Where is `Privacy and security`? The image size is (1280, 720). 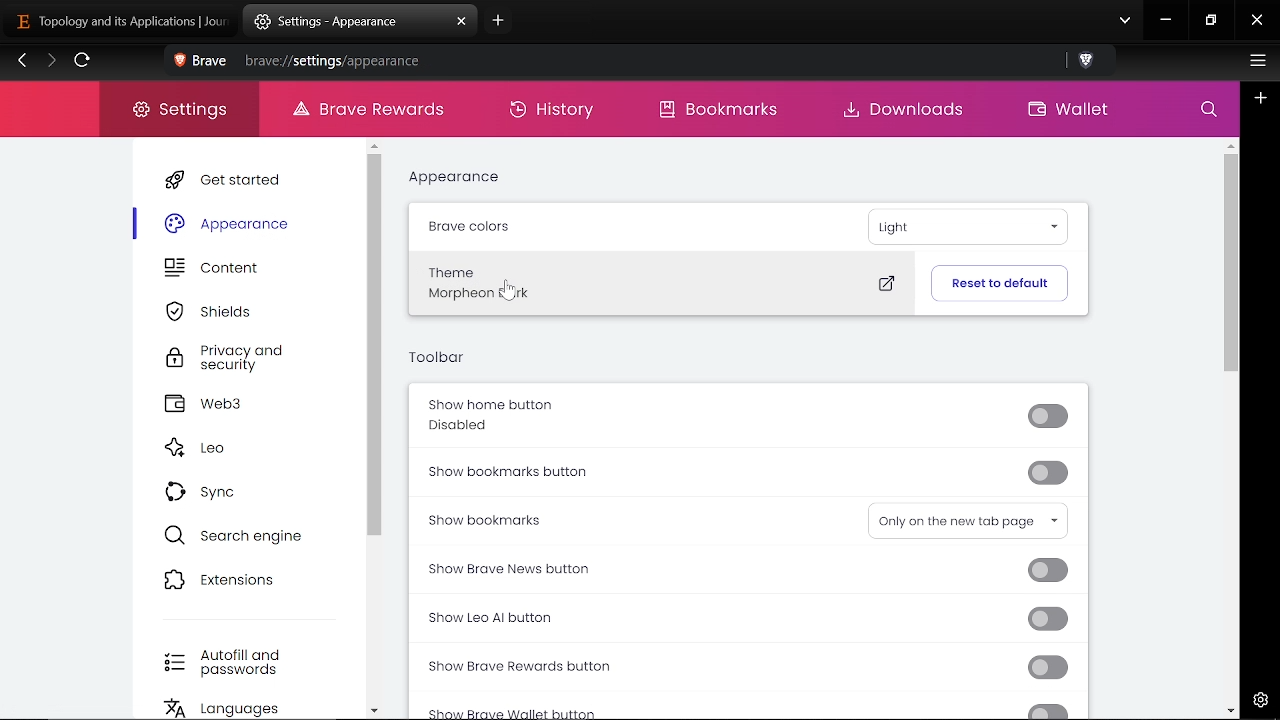
Privacy and security is located at coordinates (230, 359).